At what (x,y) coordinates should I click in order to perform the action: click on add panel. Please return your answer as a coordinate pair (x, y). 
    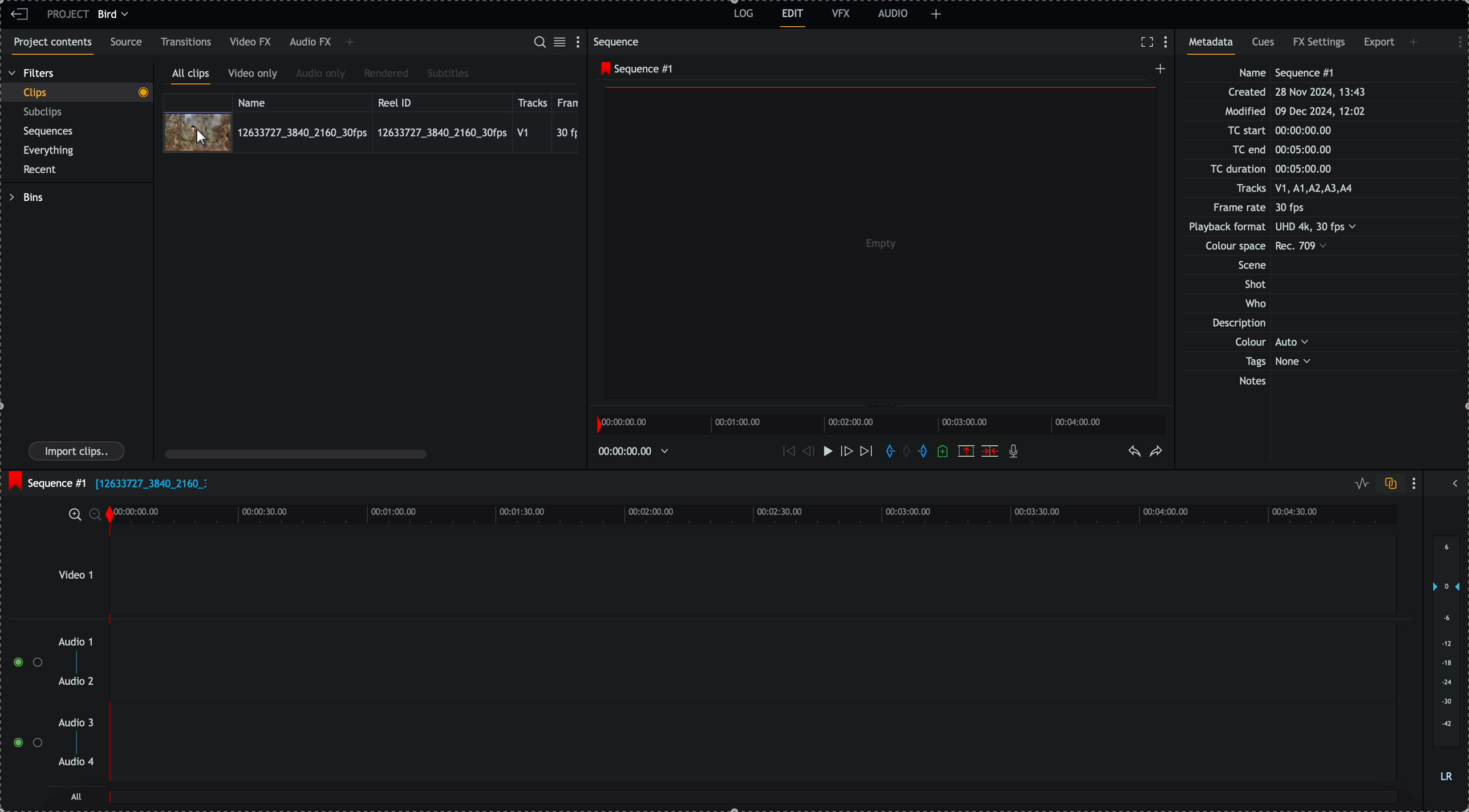
    Looking at the image, I should click on (350, 43).